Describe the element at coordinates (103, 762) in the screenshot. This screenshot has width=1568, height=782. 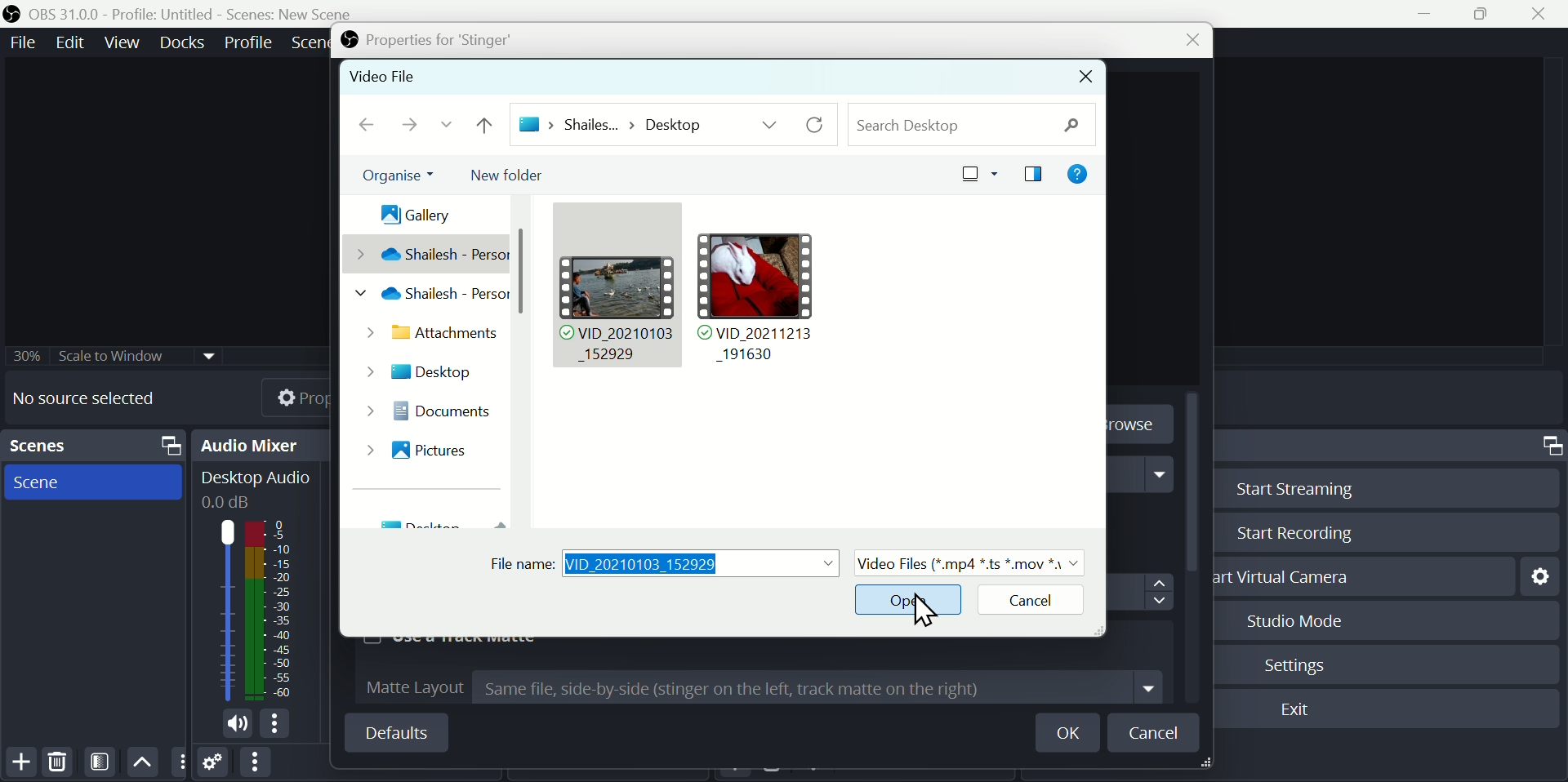
I see `Filter` at that location.